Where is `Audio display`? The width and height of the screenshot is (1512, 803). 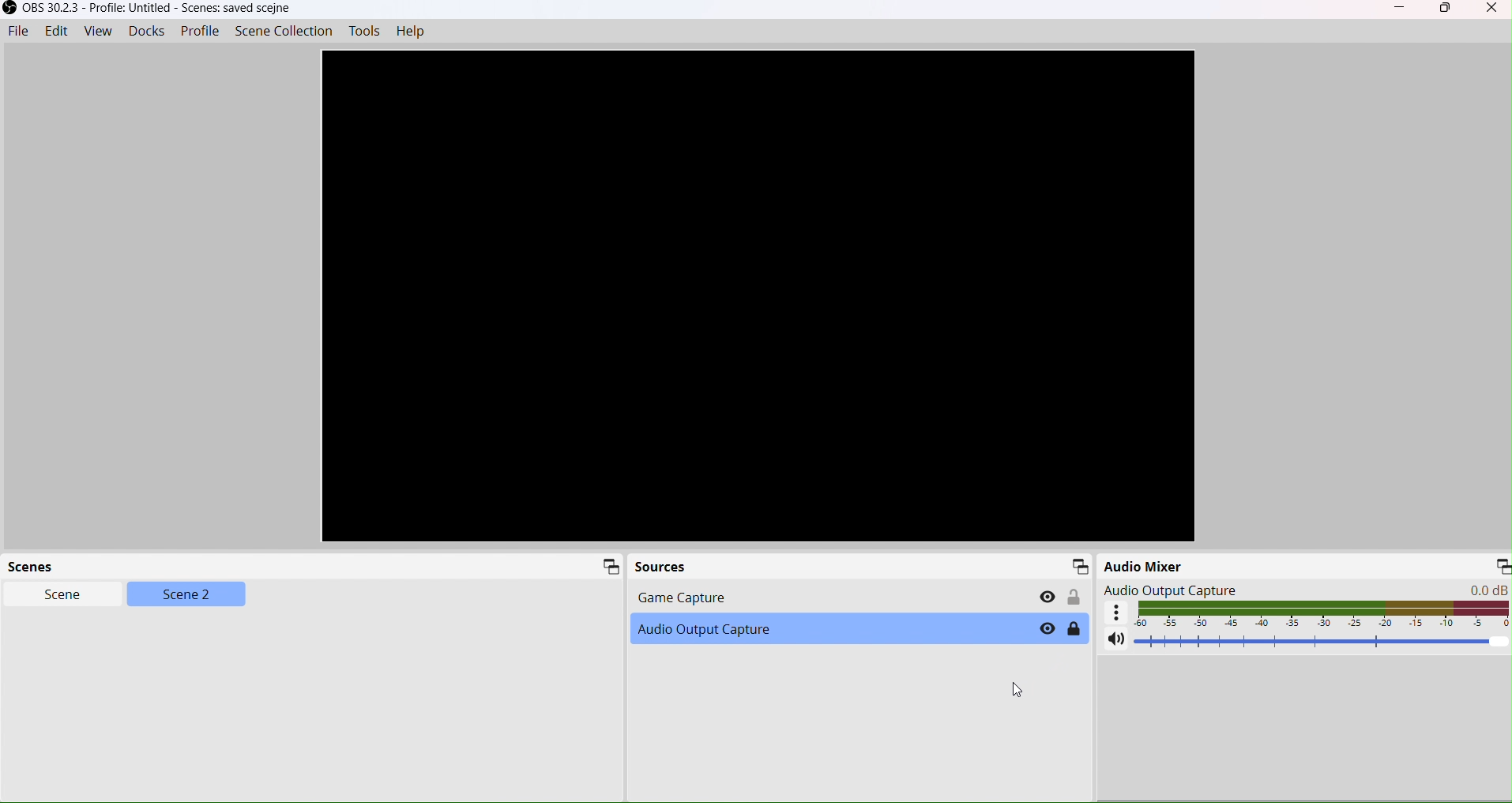
Audio display is located at coordinates (1321, 614).